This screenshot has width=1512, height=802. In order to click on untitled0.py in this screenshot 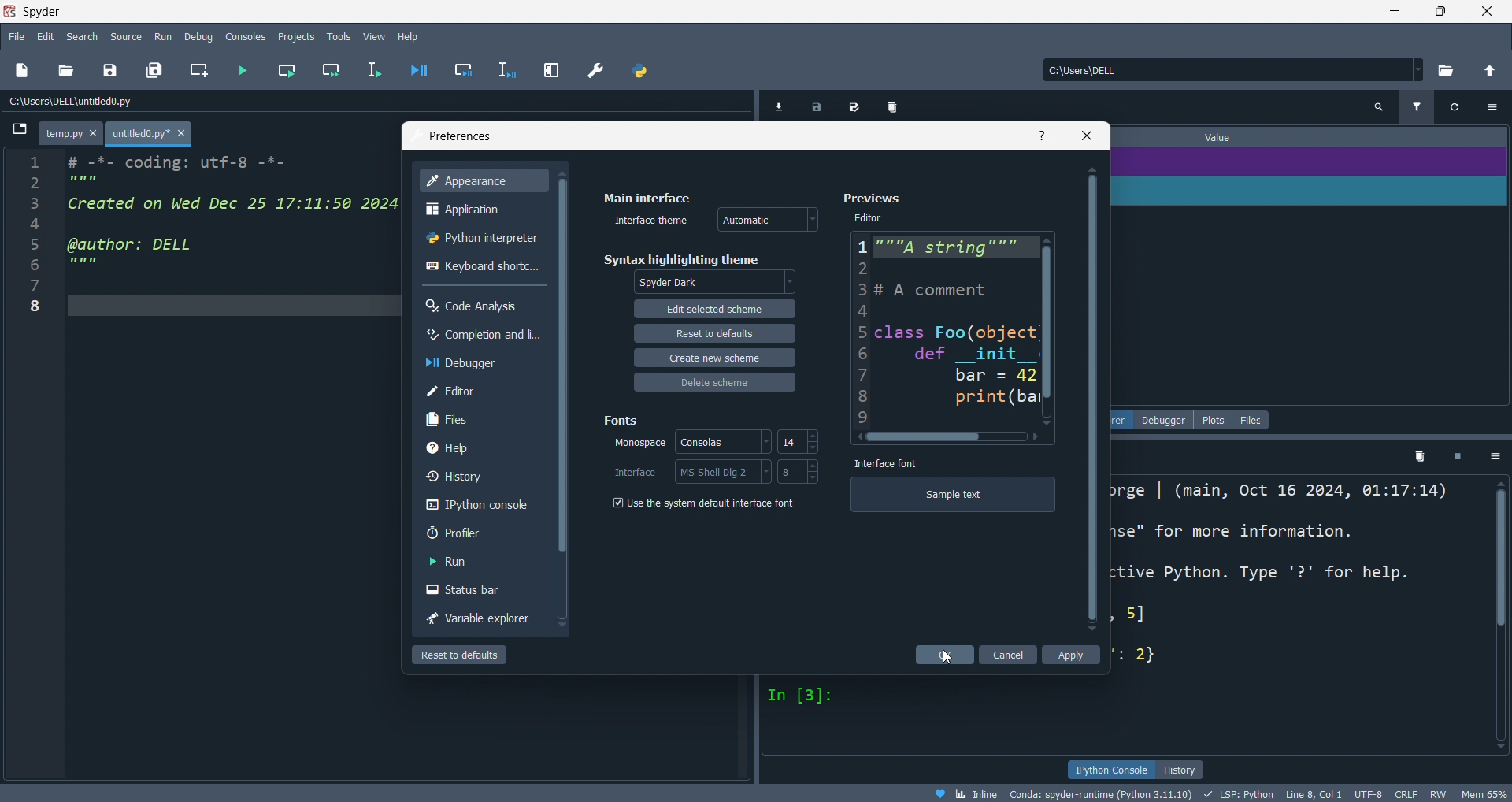, I will do `click(154, 133)`.